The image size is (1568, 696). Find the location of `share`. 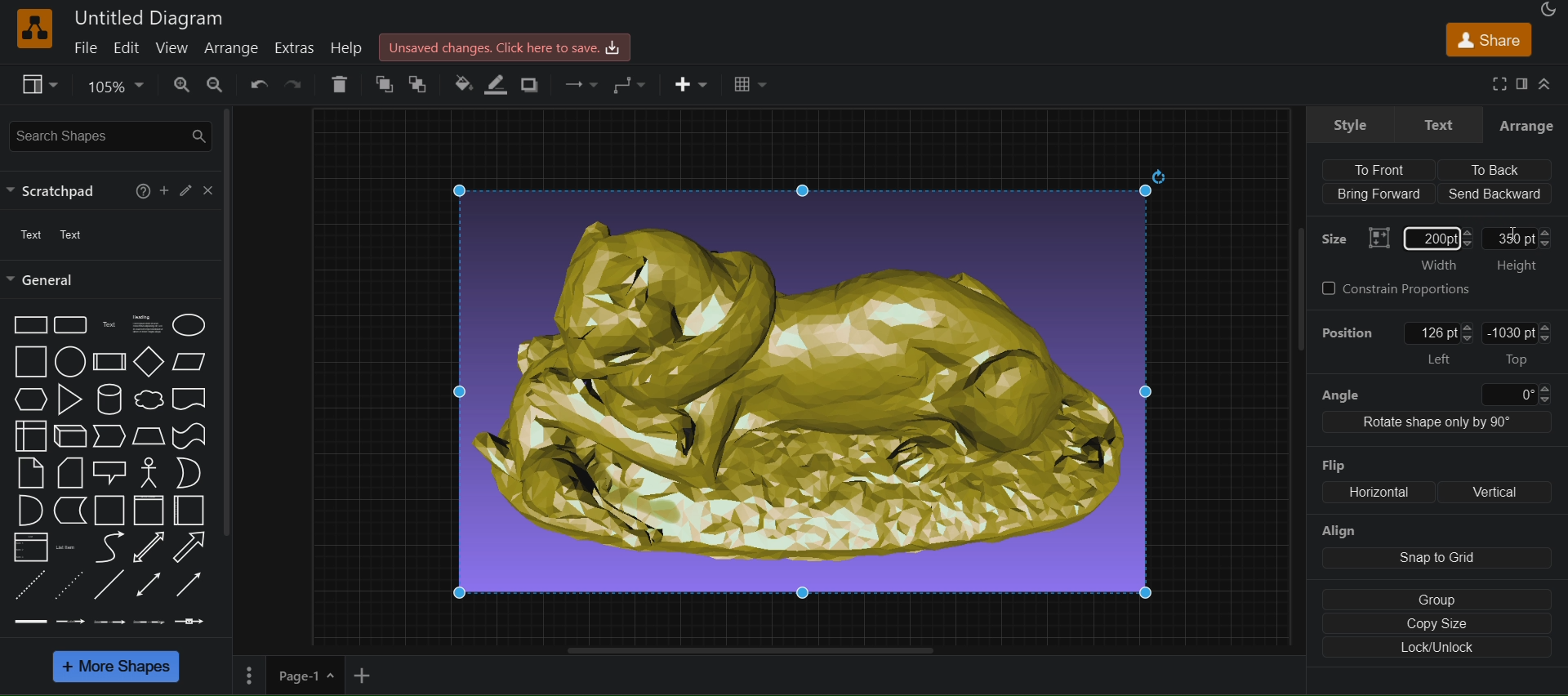

share is located at coordinates (1486, 39).